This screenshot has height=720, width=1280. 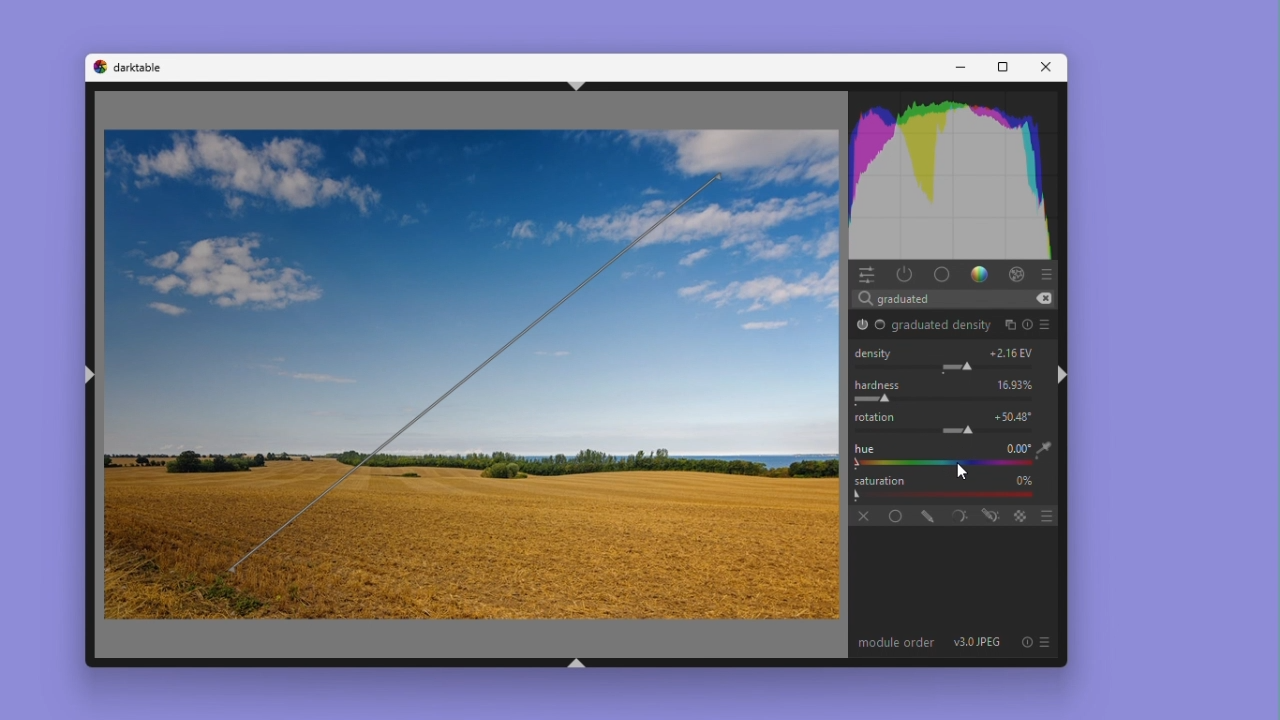 What do you see at coordinates (905, 273) in the screenshot?
I see `Power` at bounding box center [905, 273].